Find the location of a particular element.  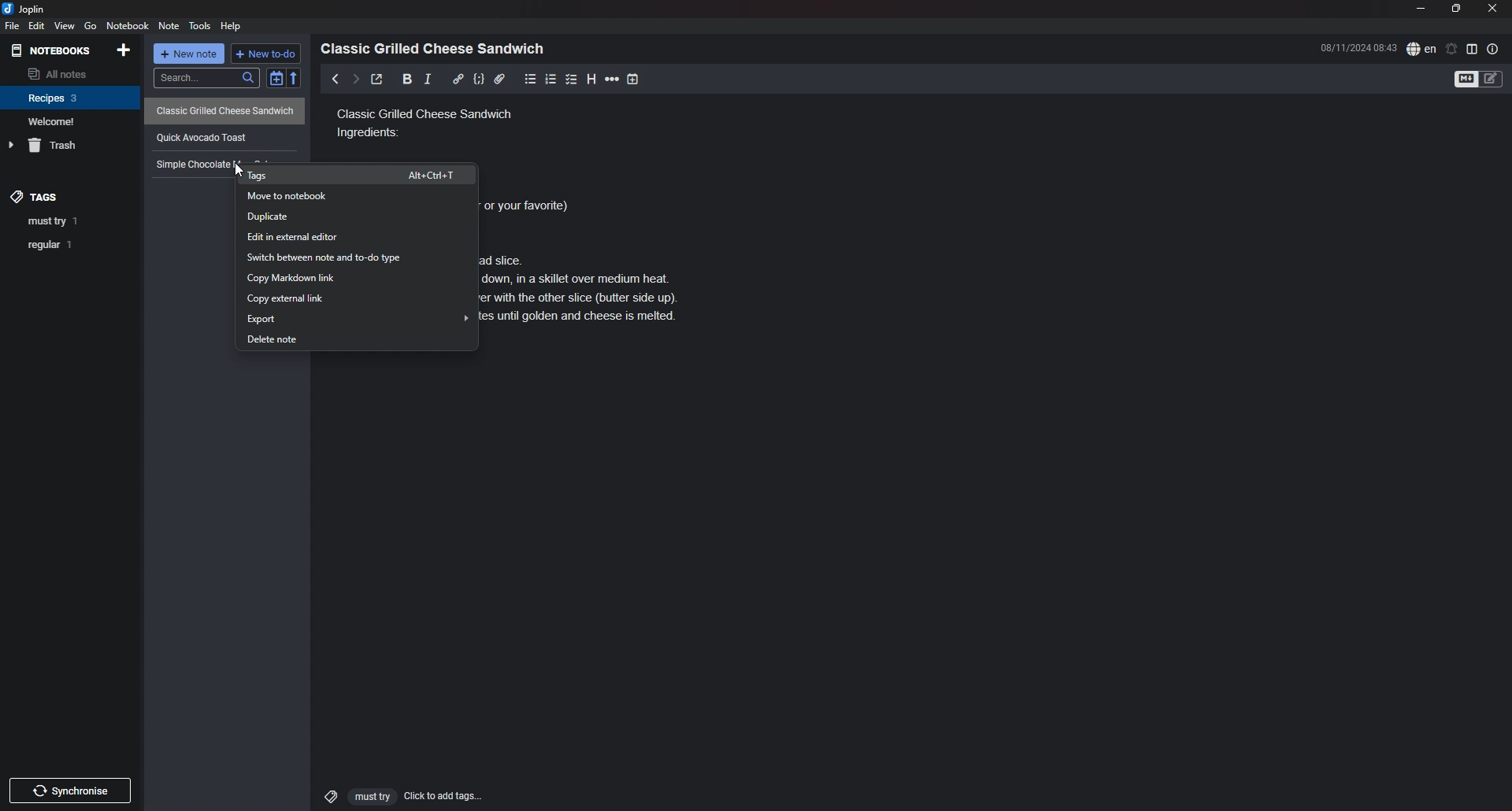

note is located at coordinates (169, 27).